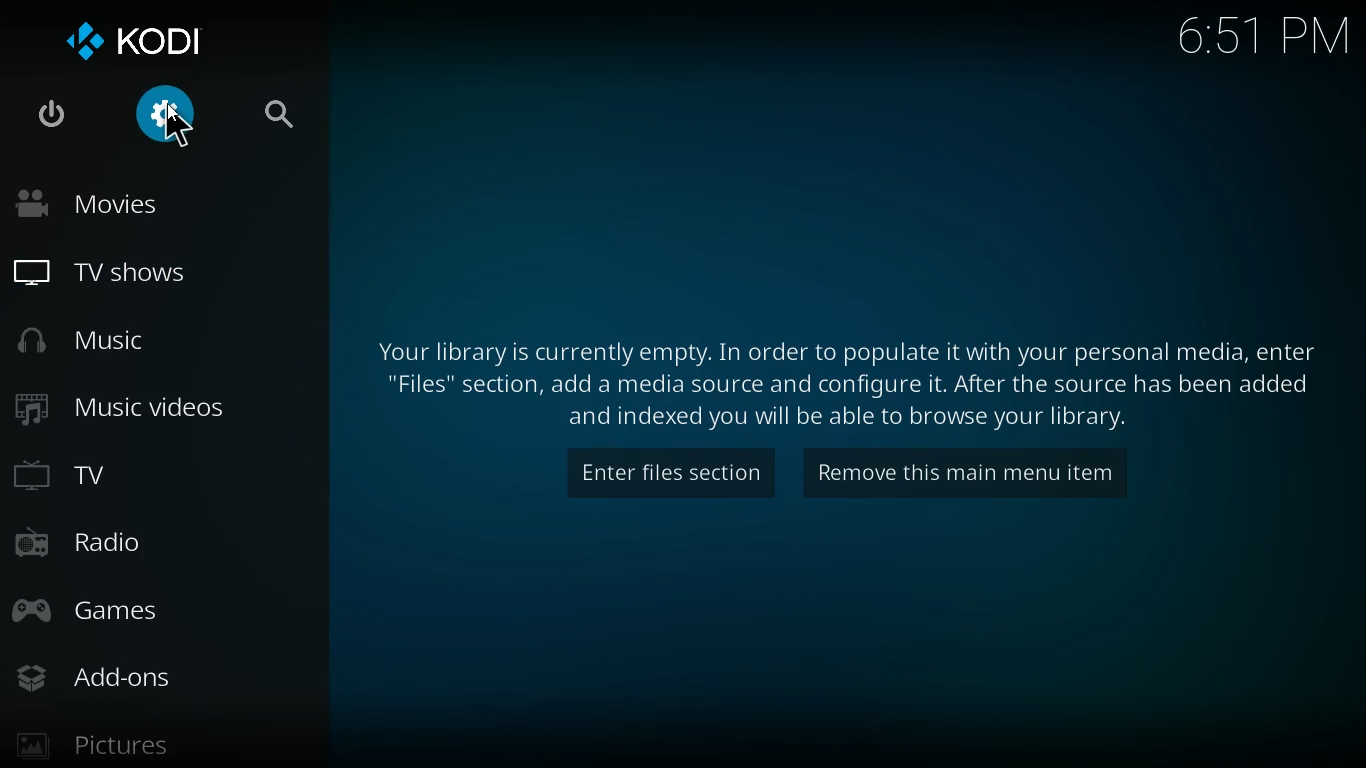 Image resolution: width=1366 pixels, height=768 pixels. What do you see at coordinates (52, 115) in the screenshot?
I see `power` at bounding box center [52, 115].